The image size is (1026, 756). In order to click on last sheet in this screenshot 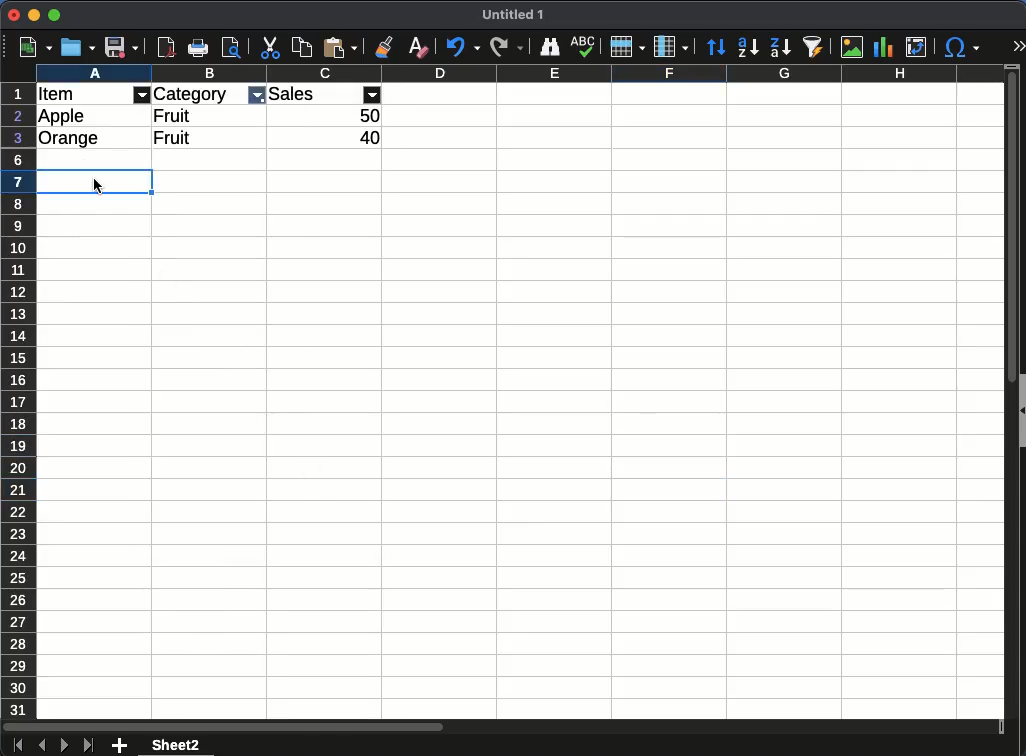, I will do `click(88, 746)`.